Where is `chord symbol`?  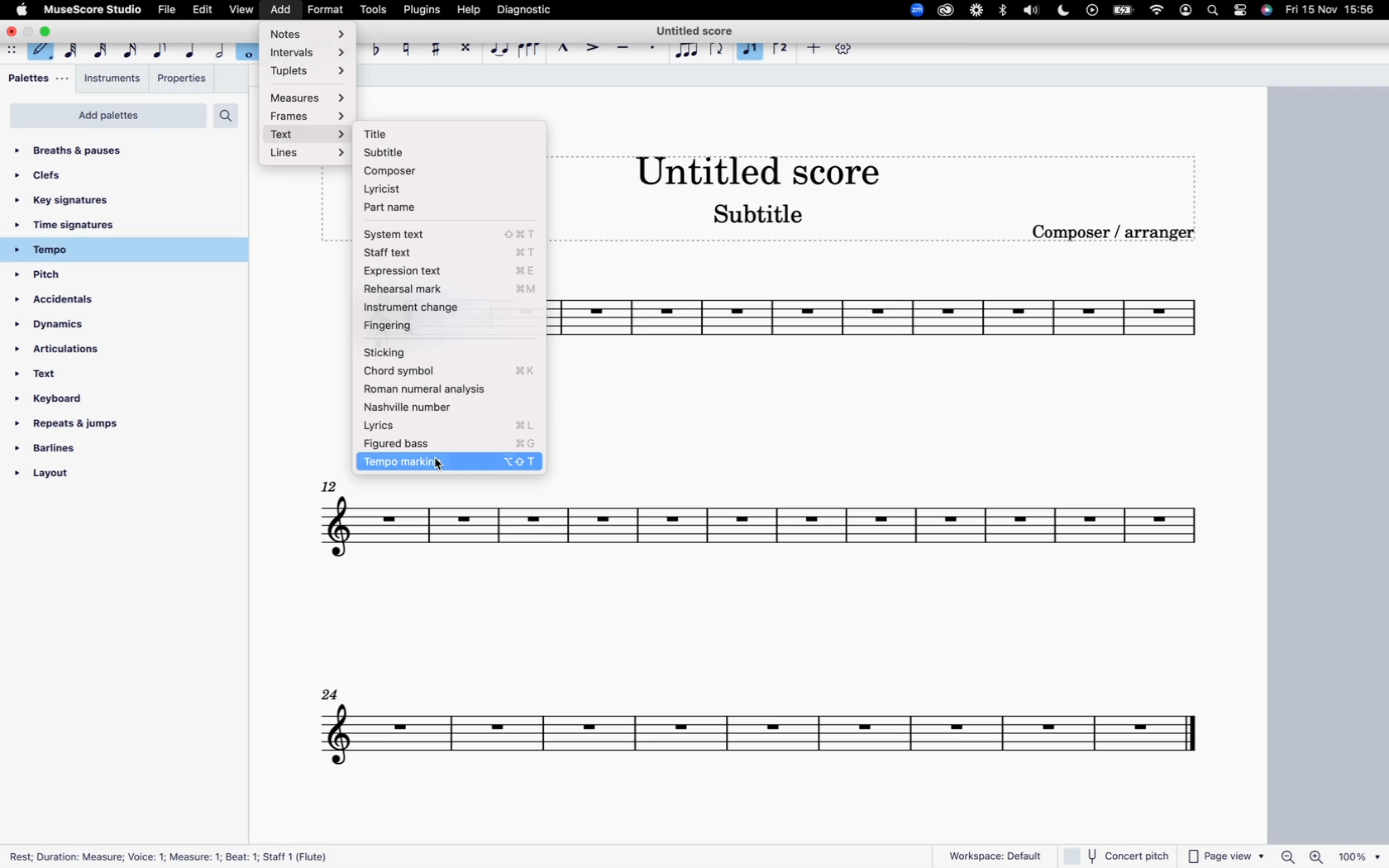
chord symbol is located at coordinates (451, 371).